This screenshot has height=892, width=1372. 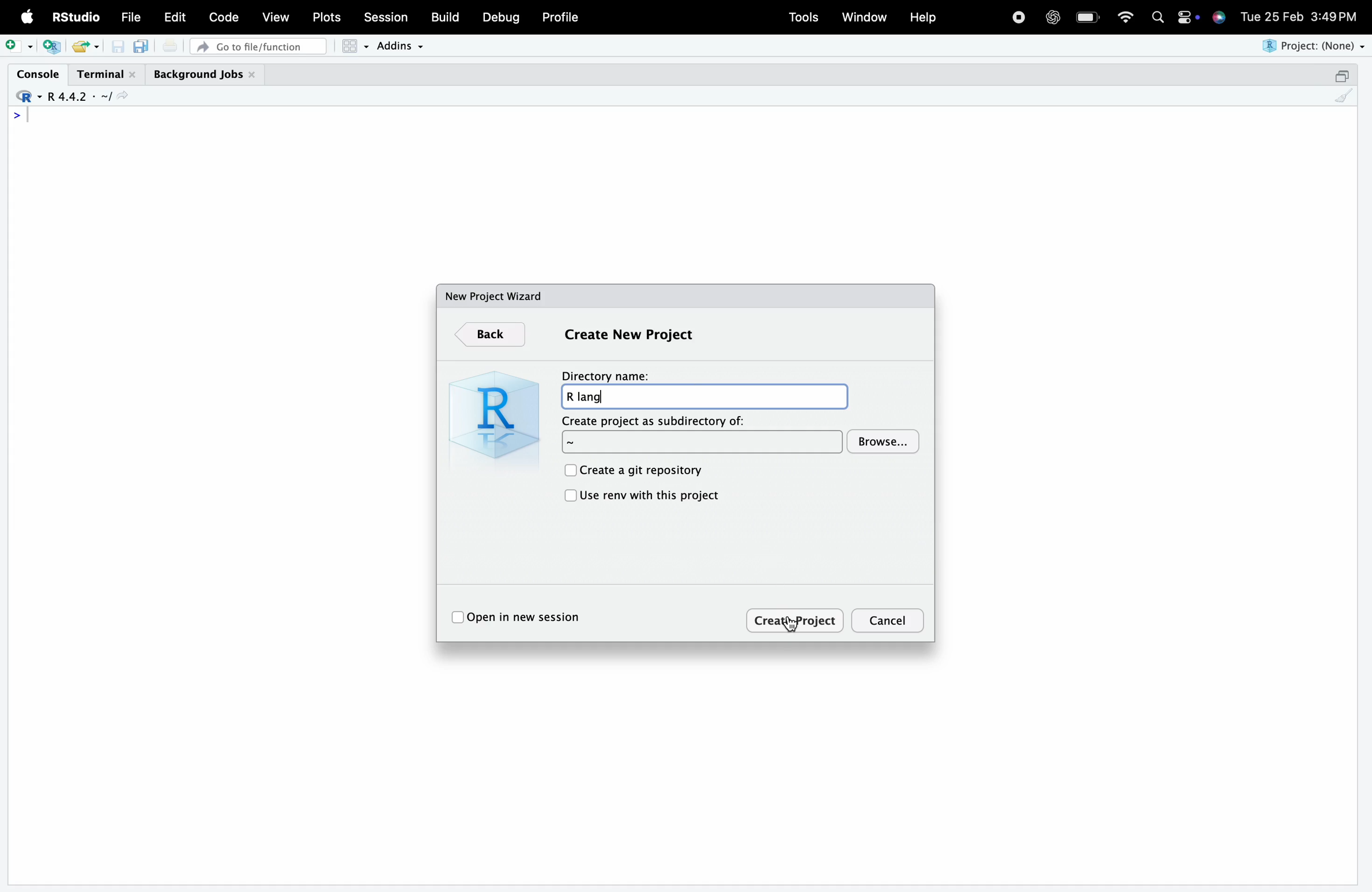 What do you see at coordinates (223, 17) in the screenshot?
I see `Code` at bounding box center [223, 17].